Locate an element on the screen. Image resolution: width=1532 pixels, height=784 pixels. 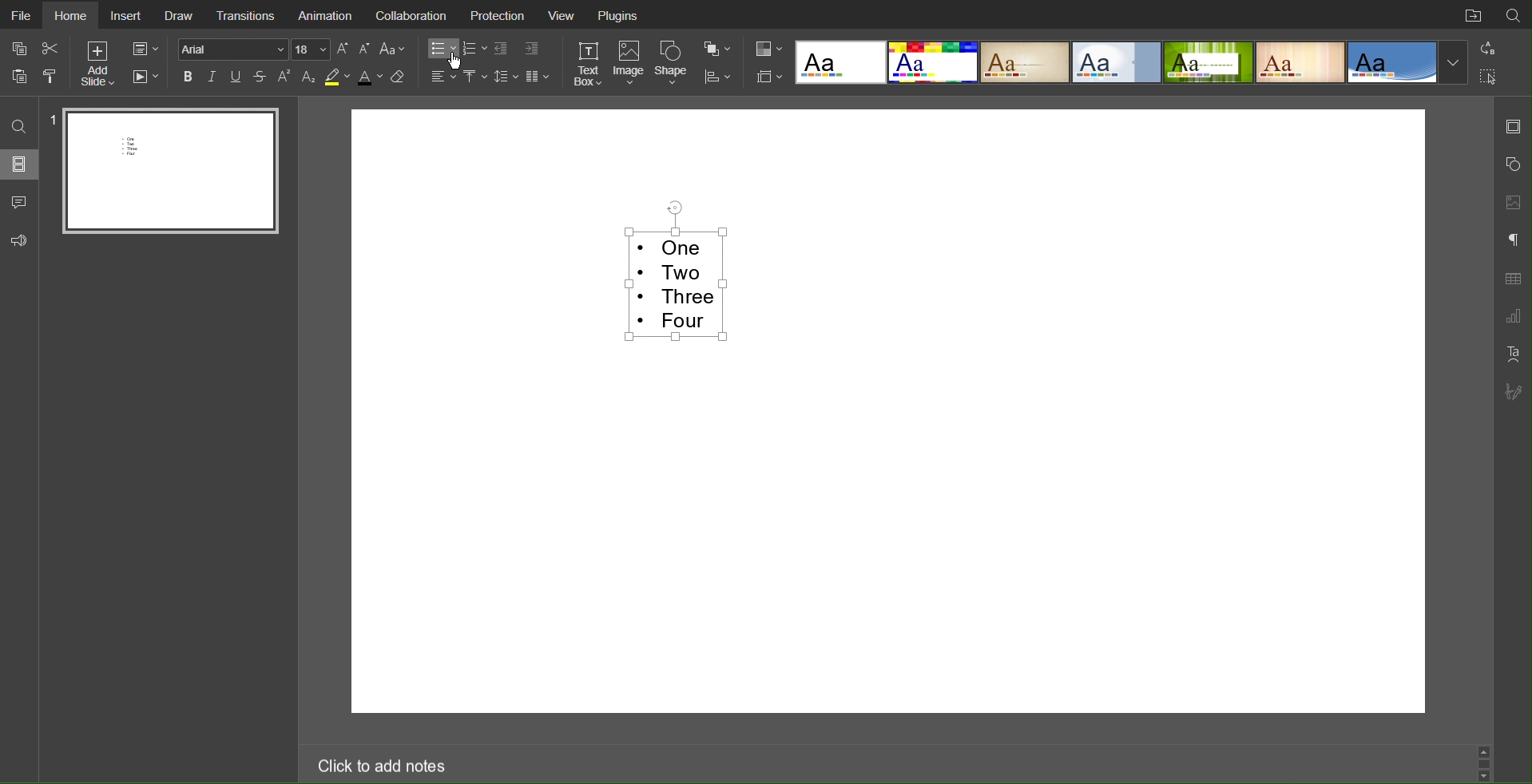
Slide Settings is located at coordinates (144, 48).